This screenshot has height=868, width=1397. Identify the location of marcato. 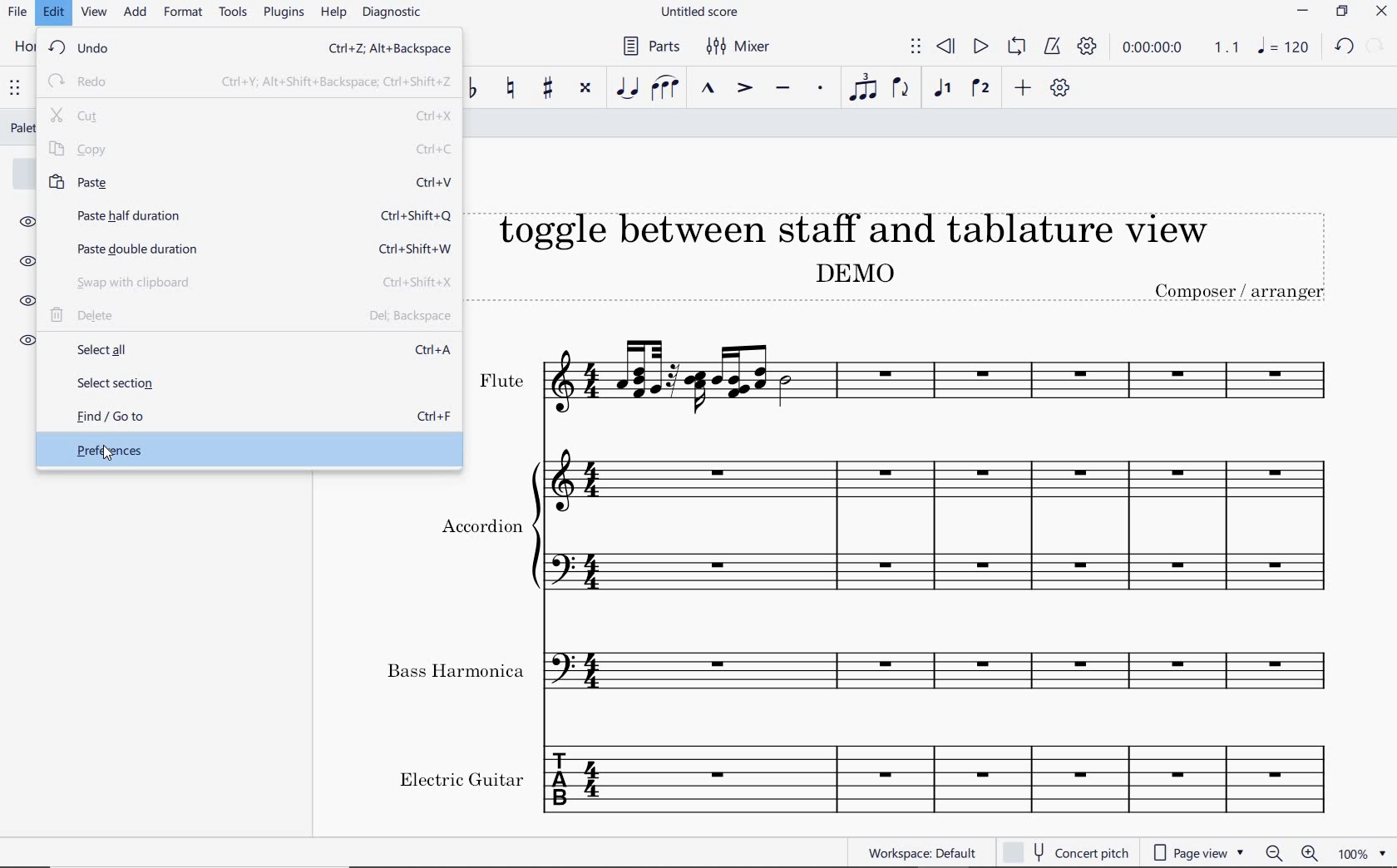
(709, 89).